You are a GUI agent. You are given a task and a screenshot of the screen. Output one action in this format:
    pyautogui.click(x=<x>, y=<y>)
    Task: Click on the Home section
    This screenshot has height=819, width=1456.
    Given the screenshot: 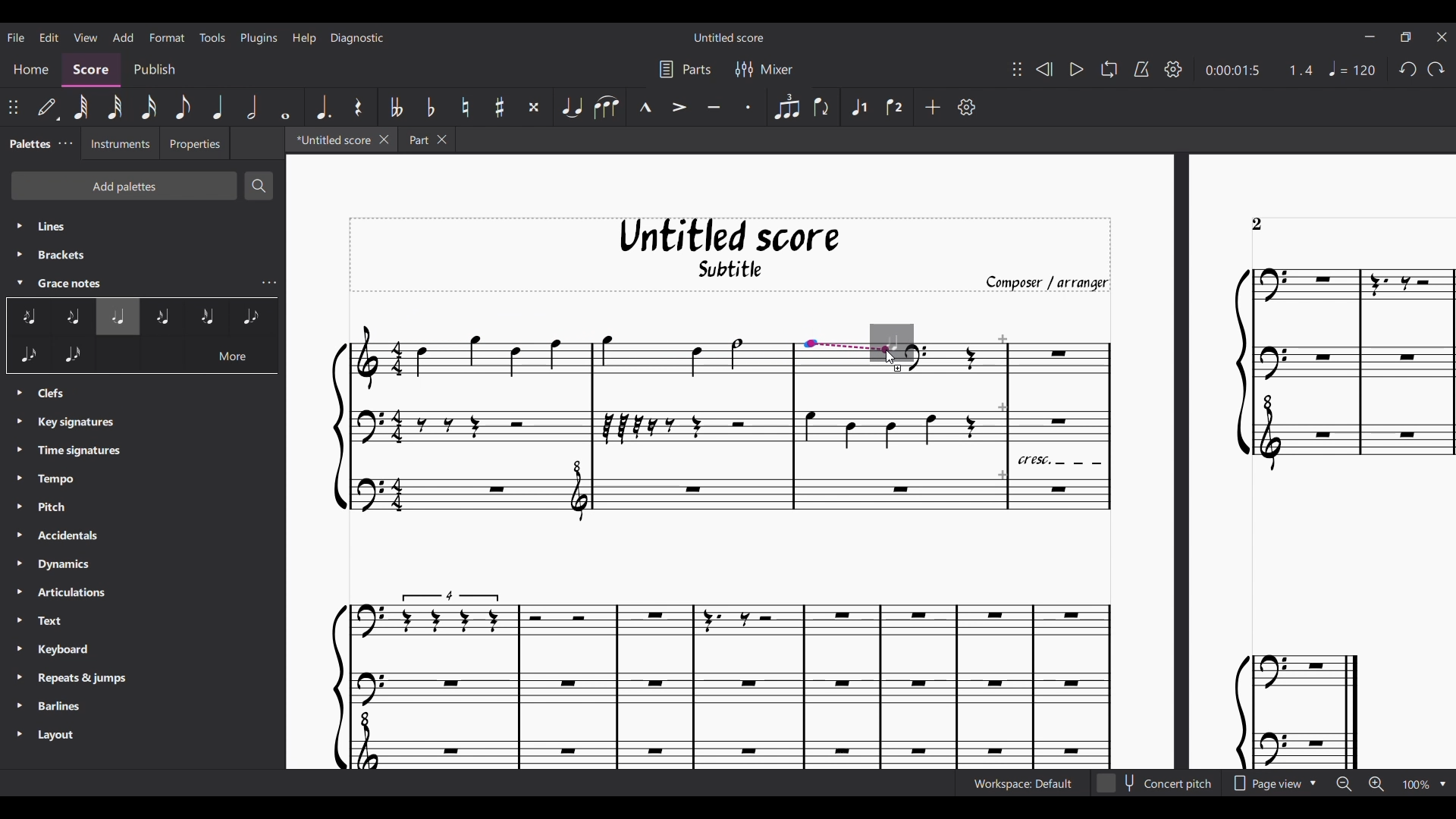 What is the action you would take?
    pyautogui.click(x=31, y=71)
    